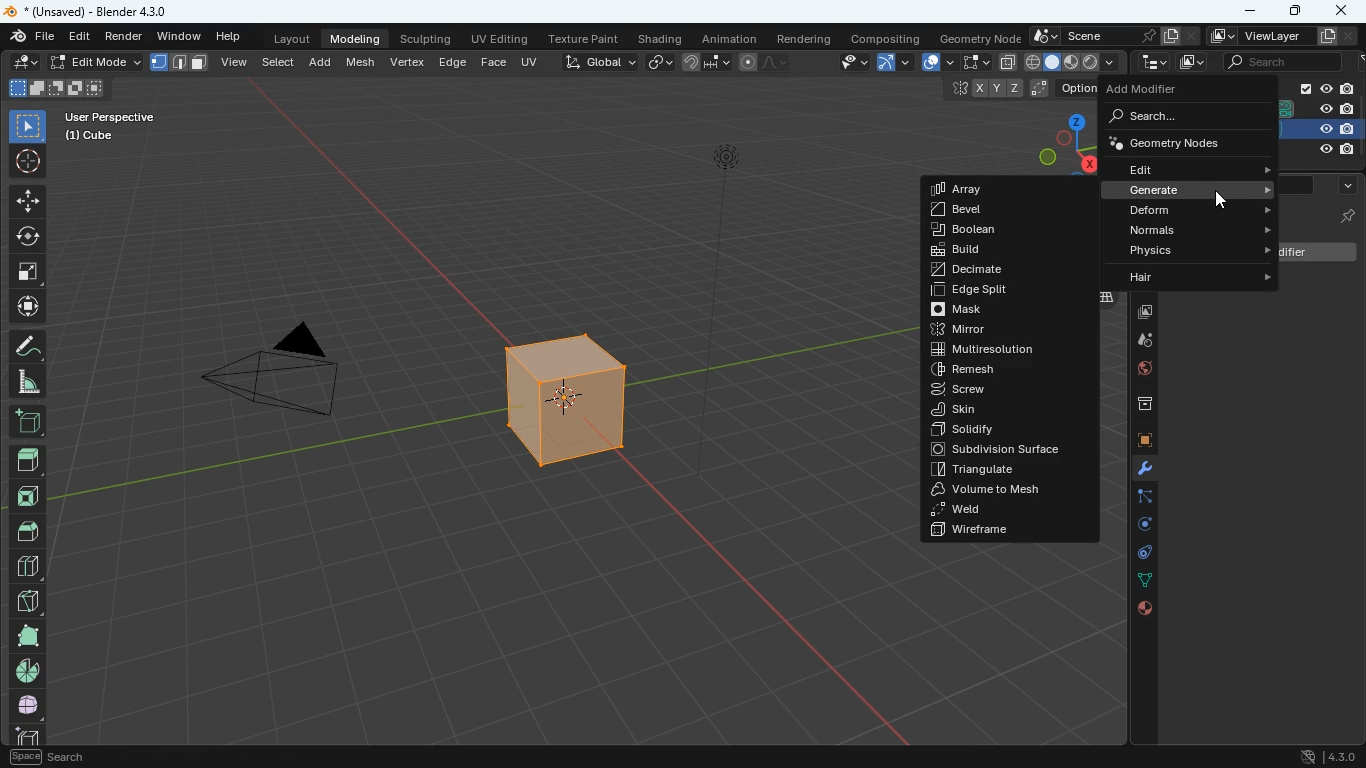  What do you see at coordinates (976, 211) in the screenshot?
I see `bevel` at bounding box center [976, 211].